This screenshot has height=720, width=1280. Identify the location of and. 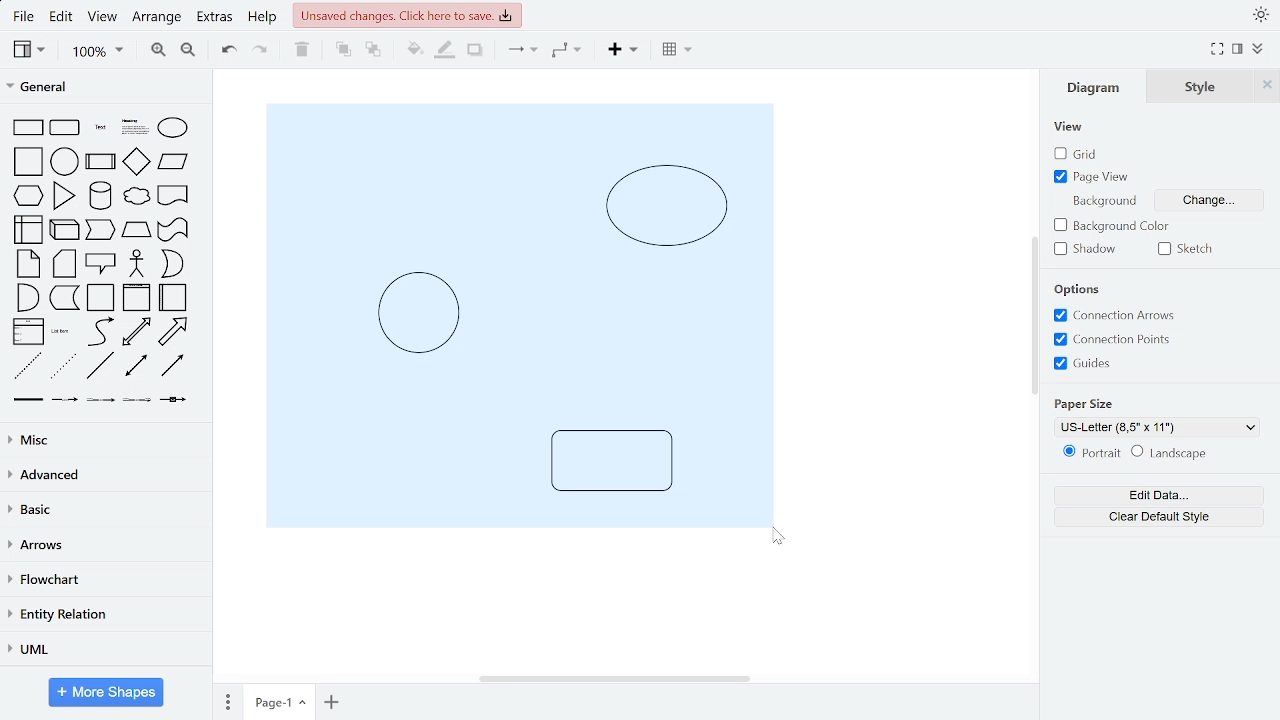
(26, 297).